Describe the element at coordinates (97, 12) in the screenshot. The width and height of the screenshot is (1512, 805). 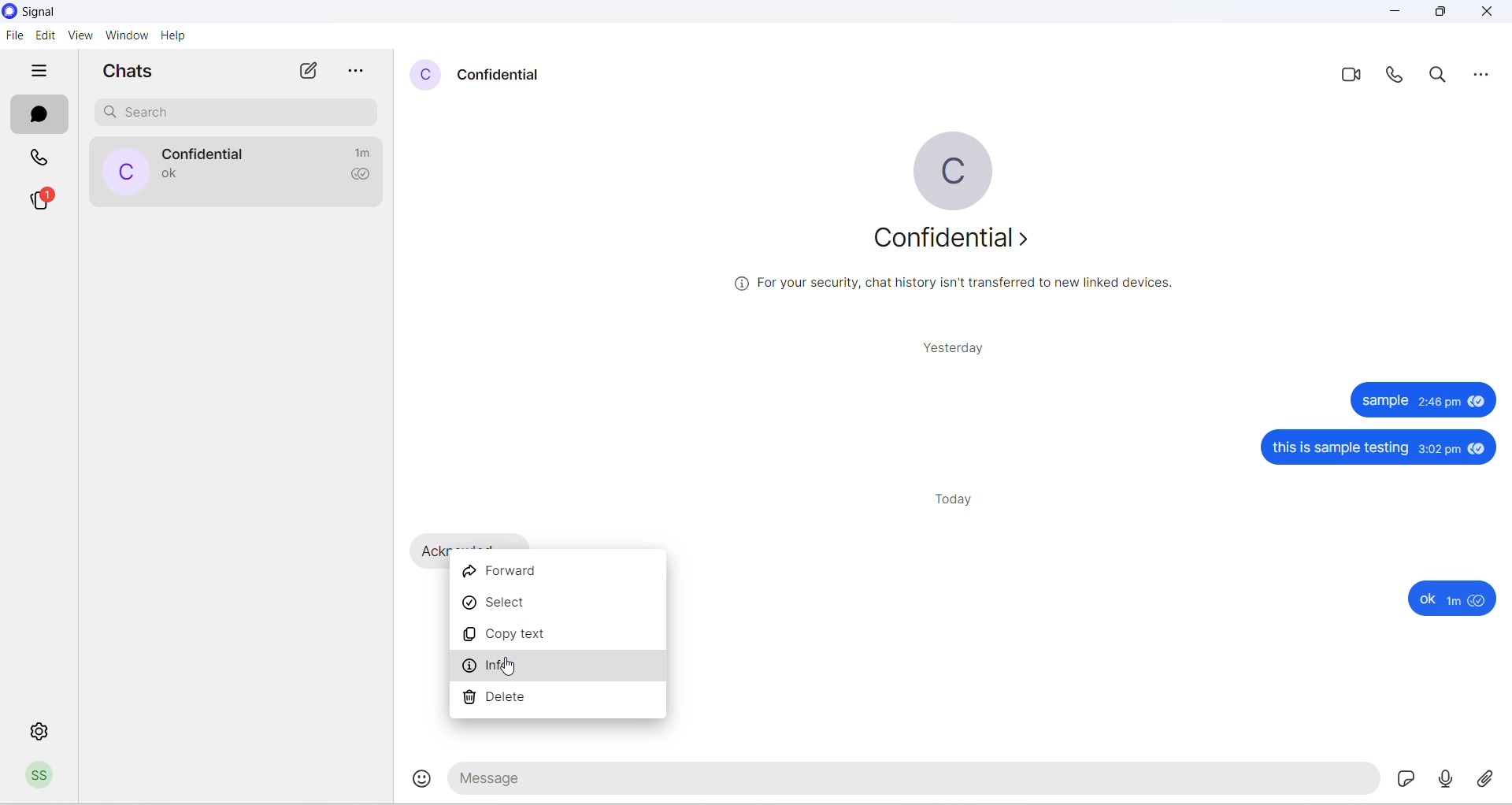
I see `application name and logo` at that location.